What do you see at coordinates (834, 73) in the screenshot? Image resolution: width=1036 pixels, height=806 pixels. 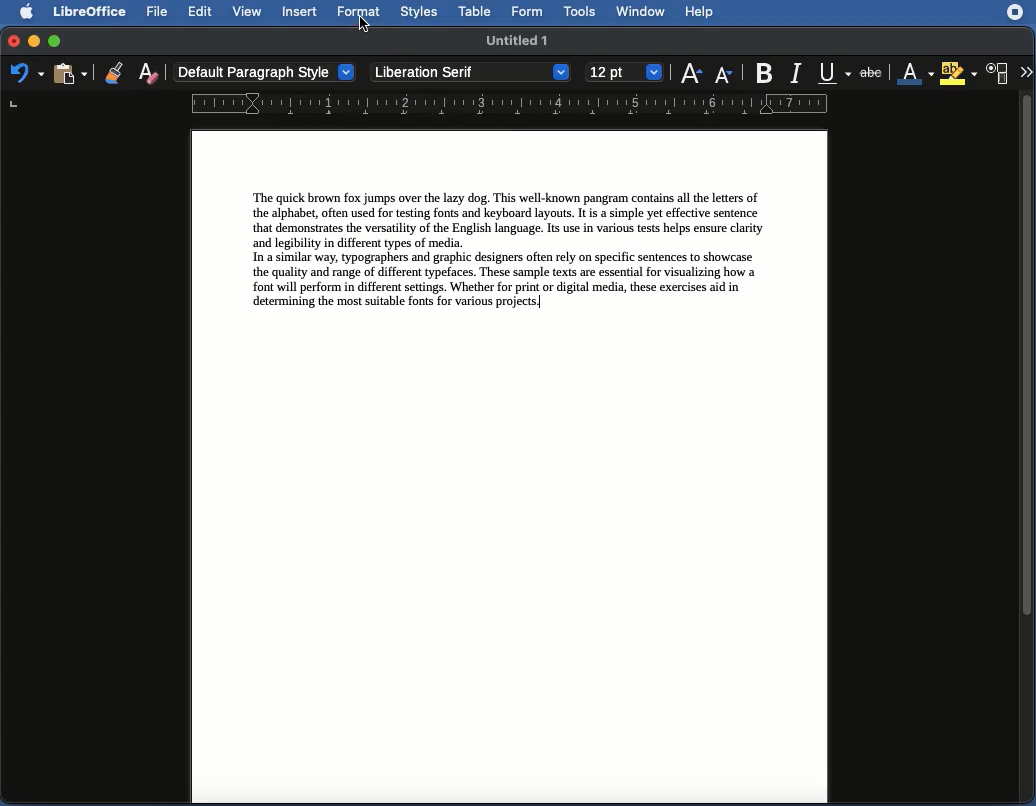 I see `Underline` at bounding box center [834, 73].